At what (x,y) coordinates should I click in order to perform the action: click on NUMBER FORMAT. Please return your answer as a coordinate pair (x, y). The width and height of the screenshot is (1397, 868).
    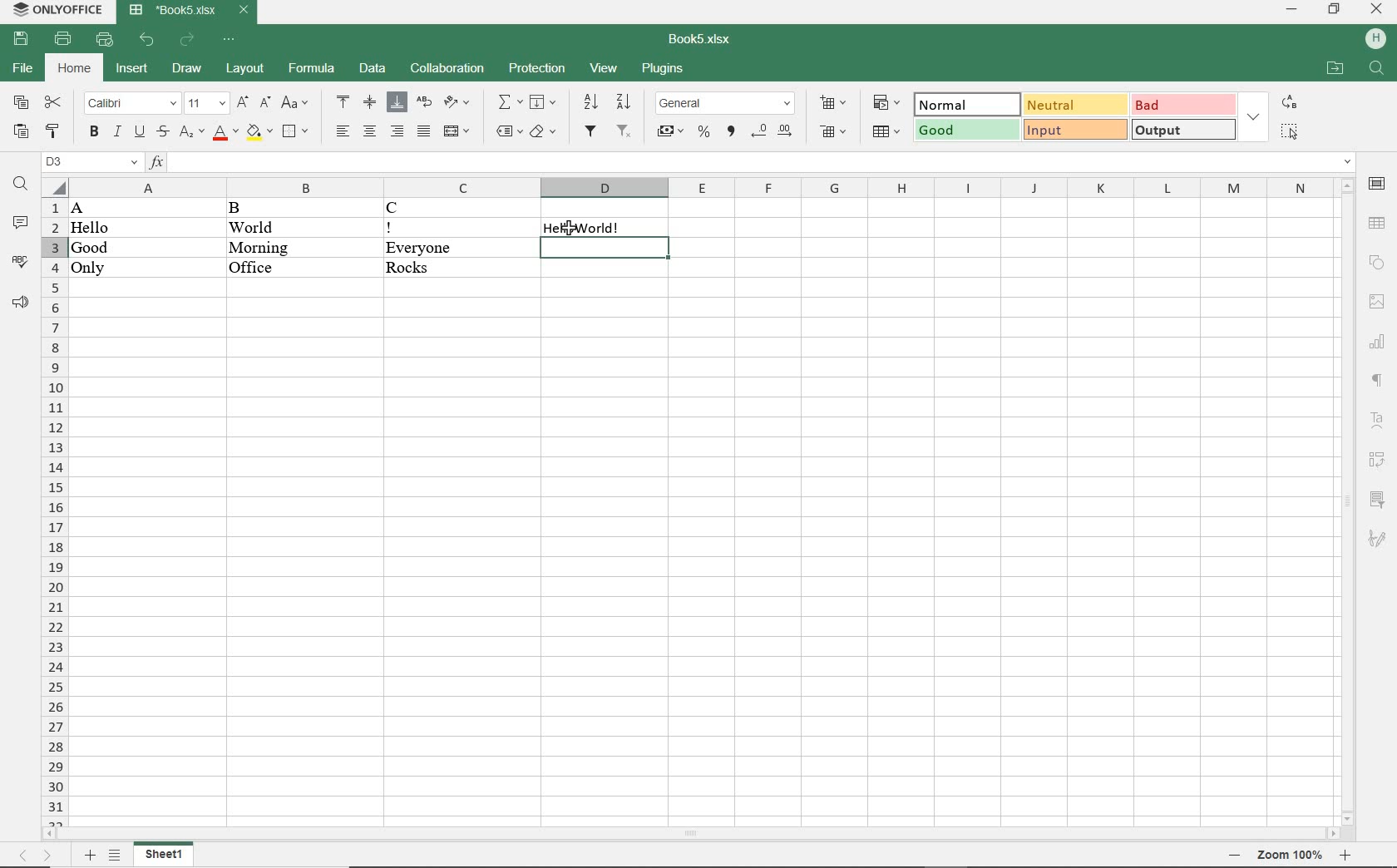
    Looking at the image, I should click on (726, 102).